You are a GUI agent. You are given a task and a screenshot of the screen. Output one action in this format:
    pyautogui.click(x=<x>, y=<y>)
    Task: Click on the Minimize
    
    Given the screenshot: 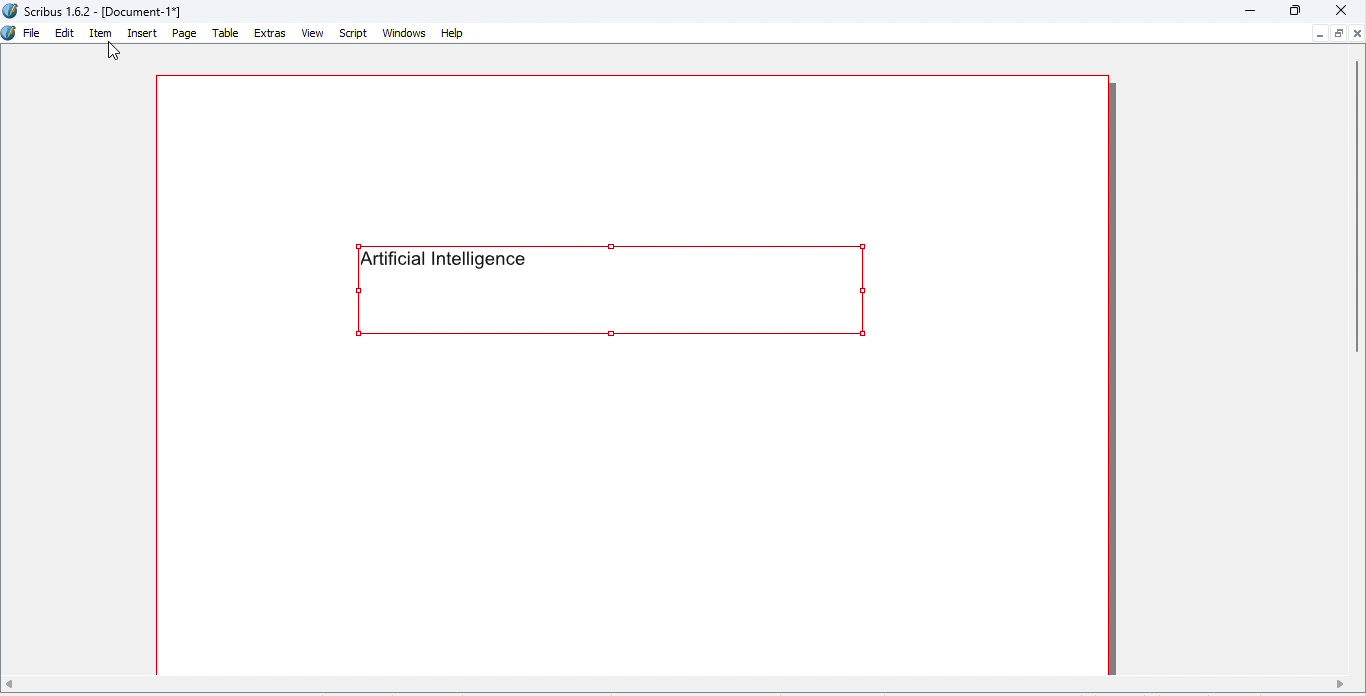 What is the action you would take?
    pyautogui.click(x=1317, y=36)
    